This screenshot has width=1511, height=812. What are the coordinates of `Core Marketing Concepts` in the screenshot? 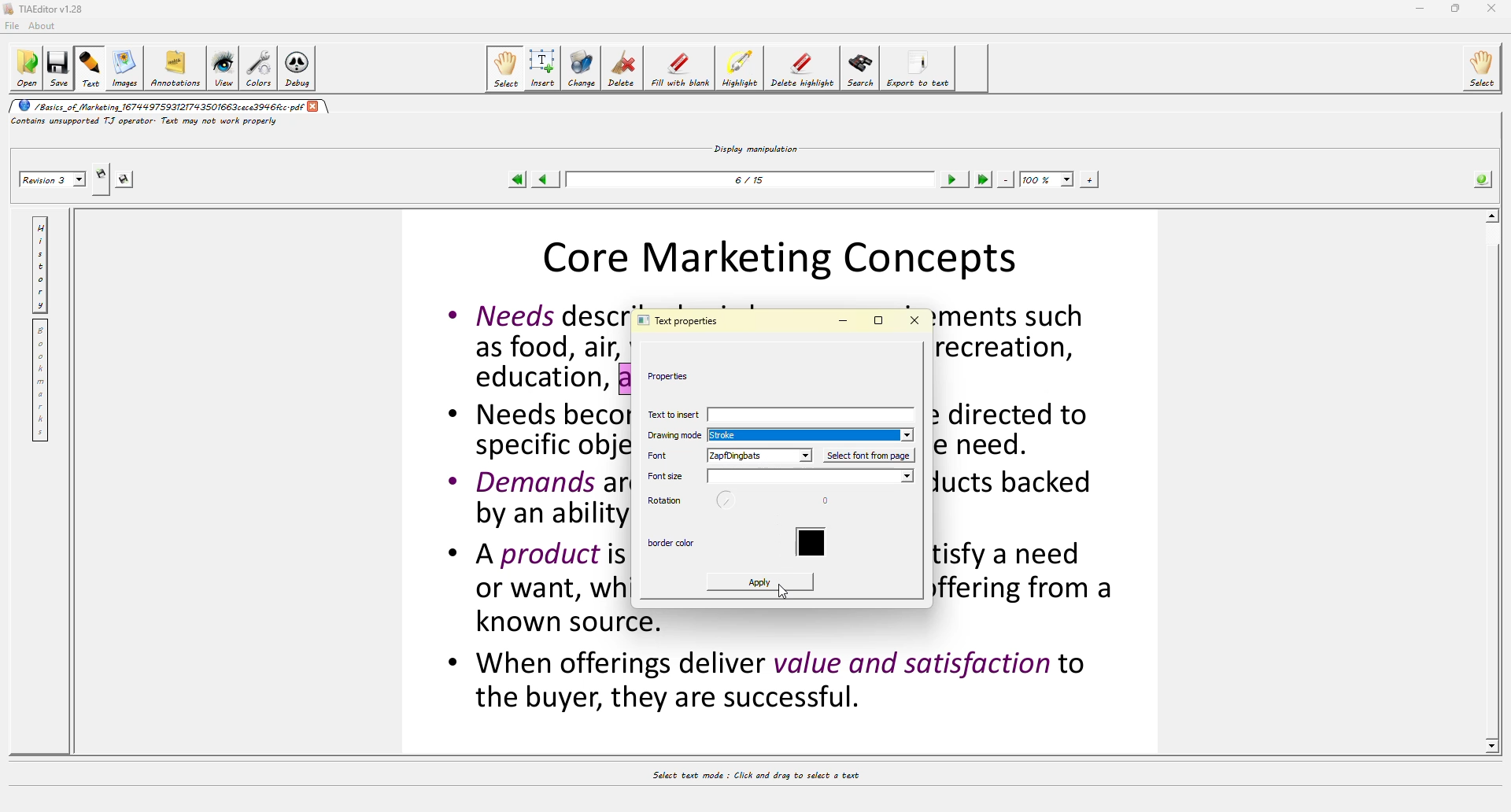 It's located at (790, 255).